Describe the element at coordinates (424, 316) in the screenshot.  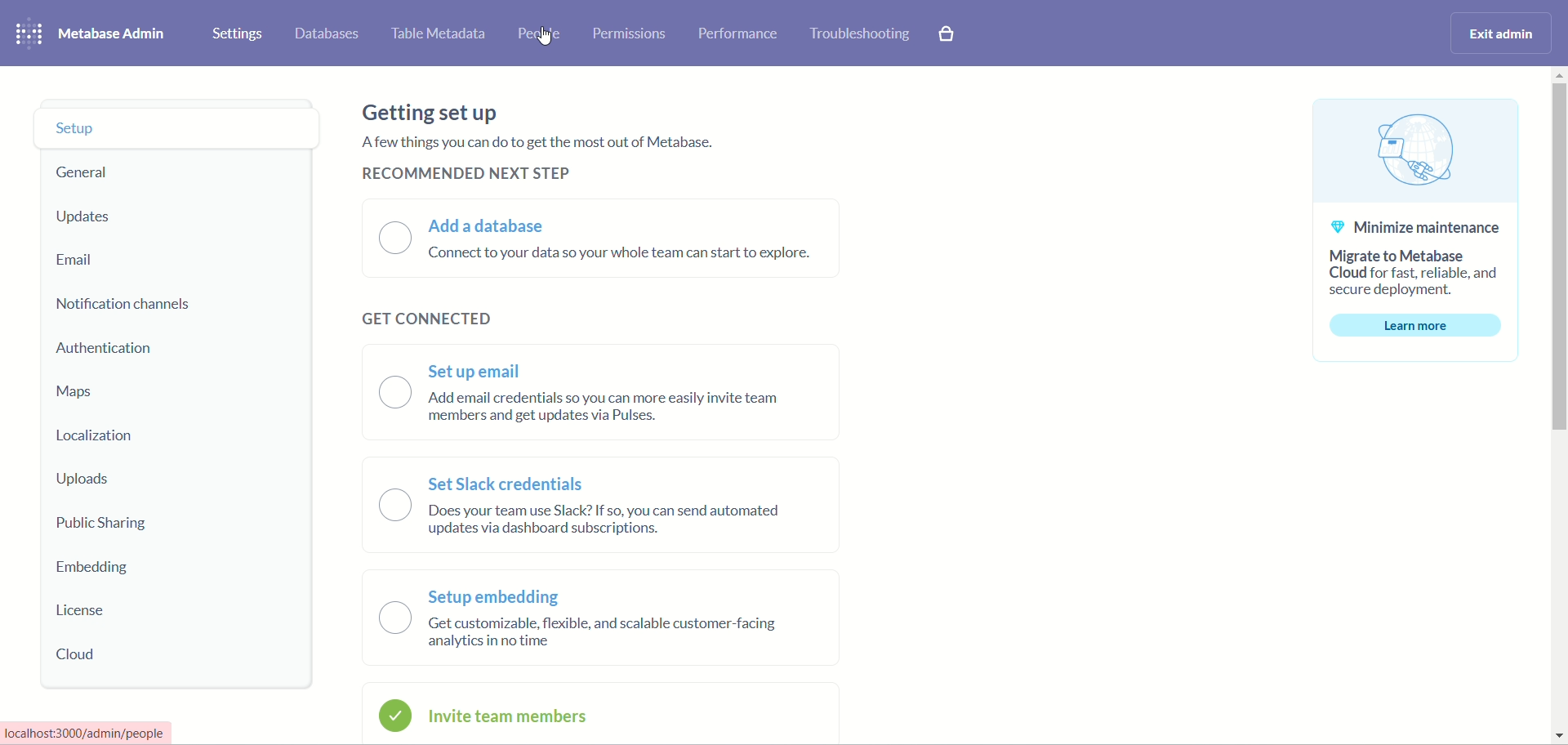
I see `get connected` at that location.